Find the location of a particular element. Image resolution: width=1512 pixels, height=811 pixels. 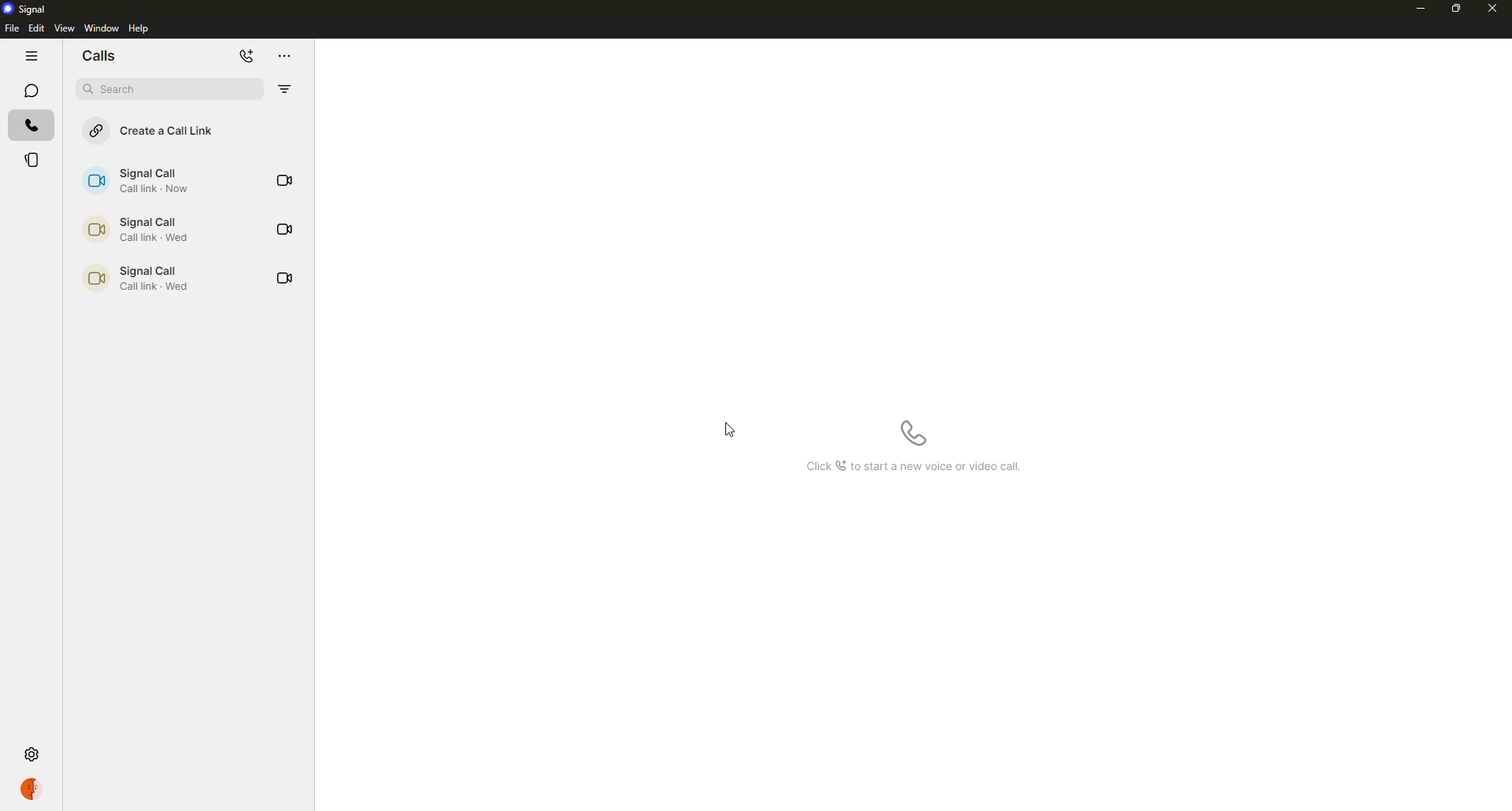

stories is located at coordinates (33, 161).